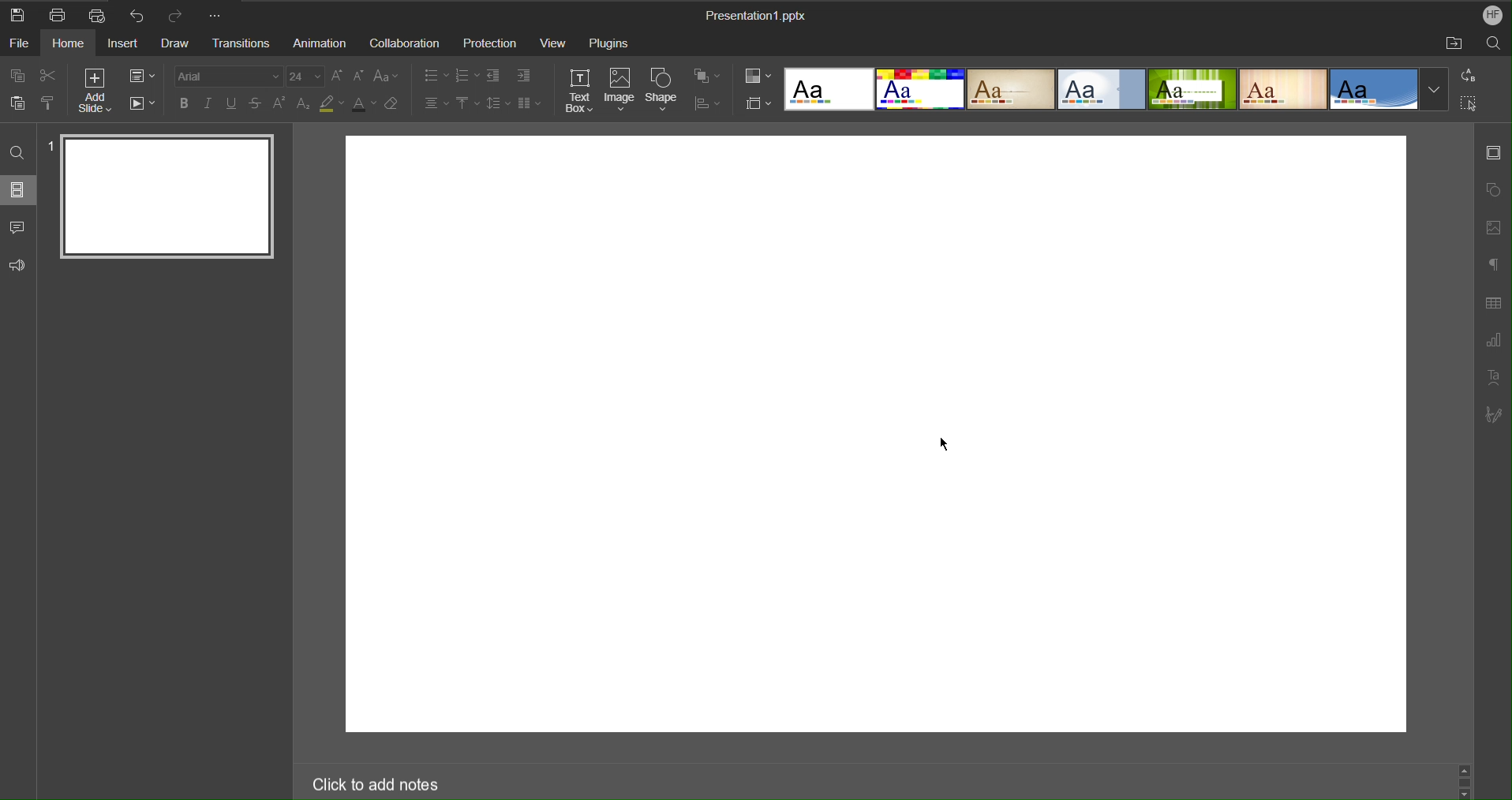  What do you see at coordinates (138, 14) in the screenshot?
I see `Undo` at bounding box center [138, 14].